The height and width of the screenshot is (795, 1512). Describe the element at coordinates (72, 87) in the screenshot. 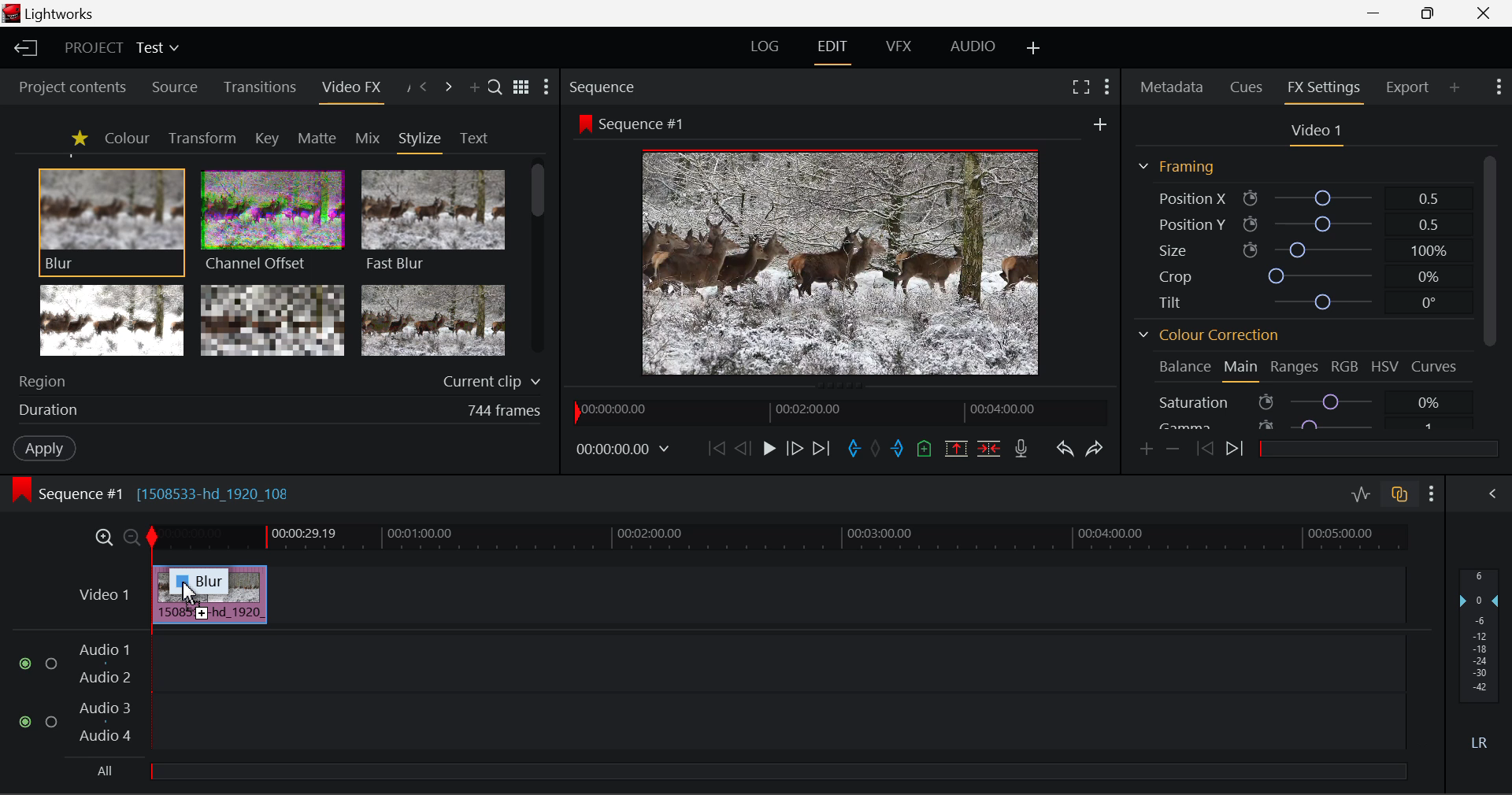

I see `Project contents` at that location.